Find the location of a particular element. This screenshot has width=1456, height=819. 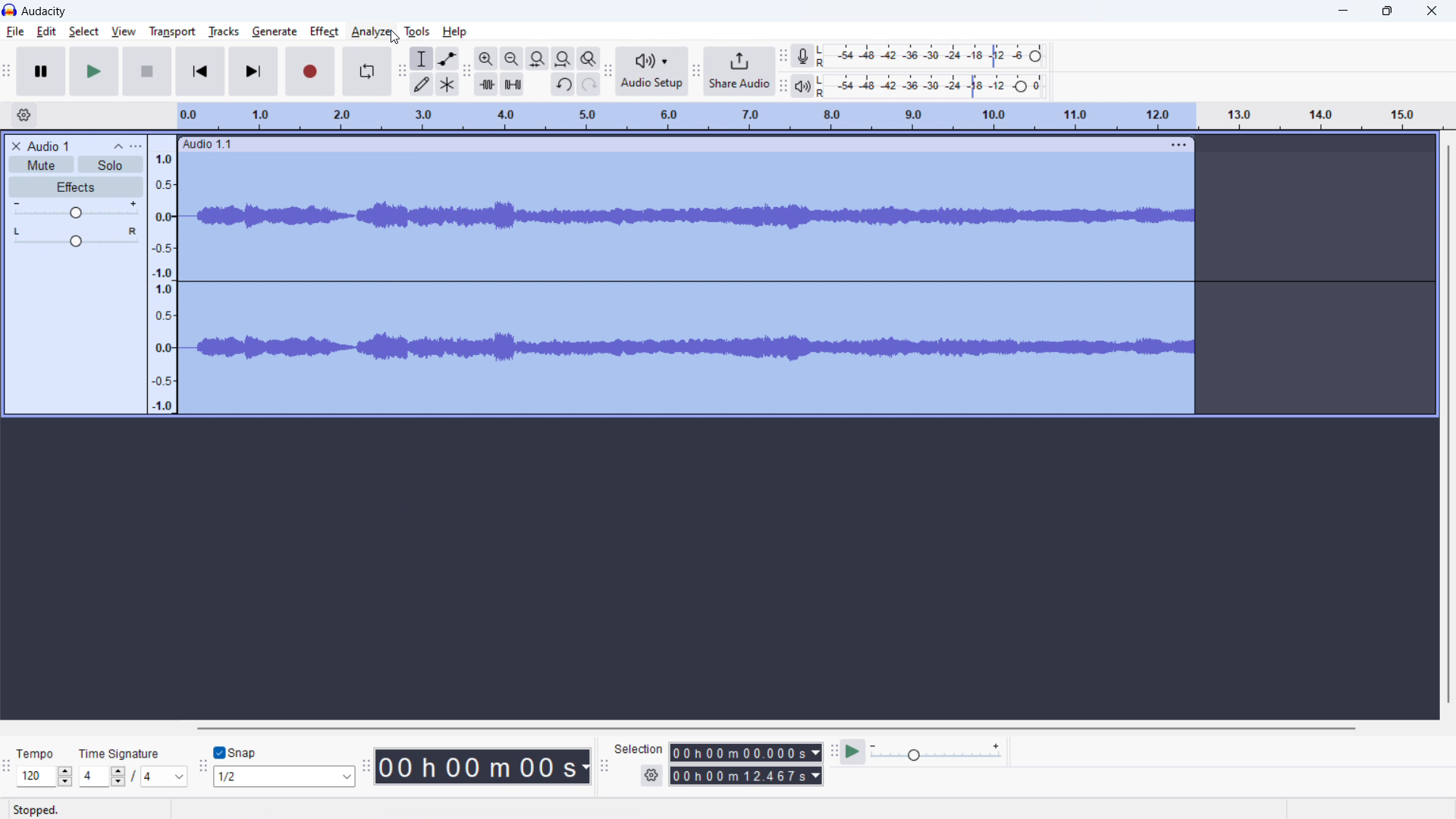

settings is located at coordinates (651, 775).